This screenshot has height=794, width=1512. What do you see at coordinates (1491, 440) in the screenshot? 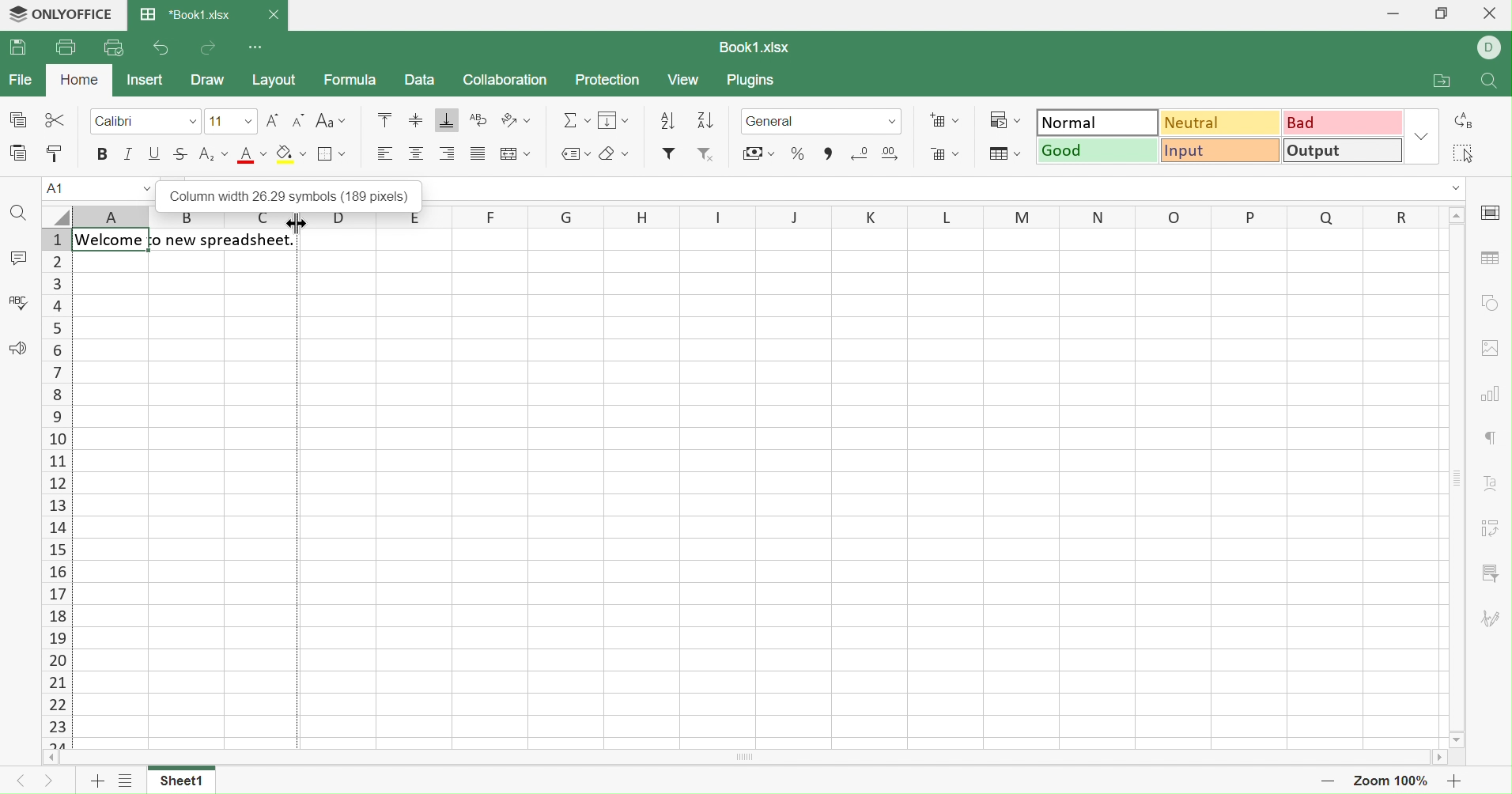
I see `Paragraph settings` at bounding box center [1491, 440].